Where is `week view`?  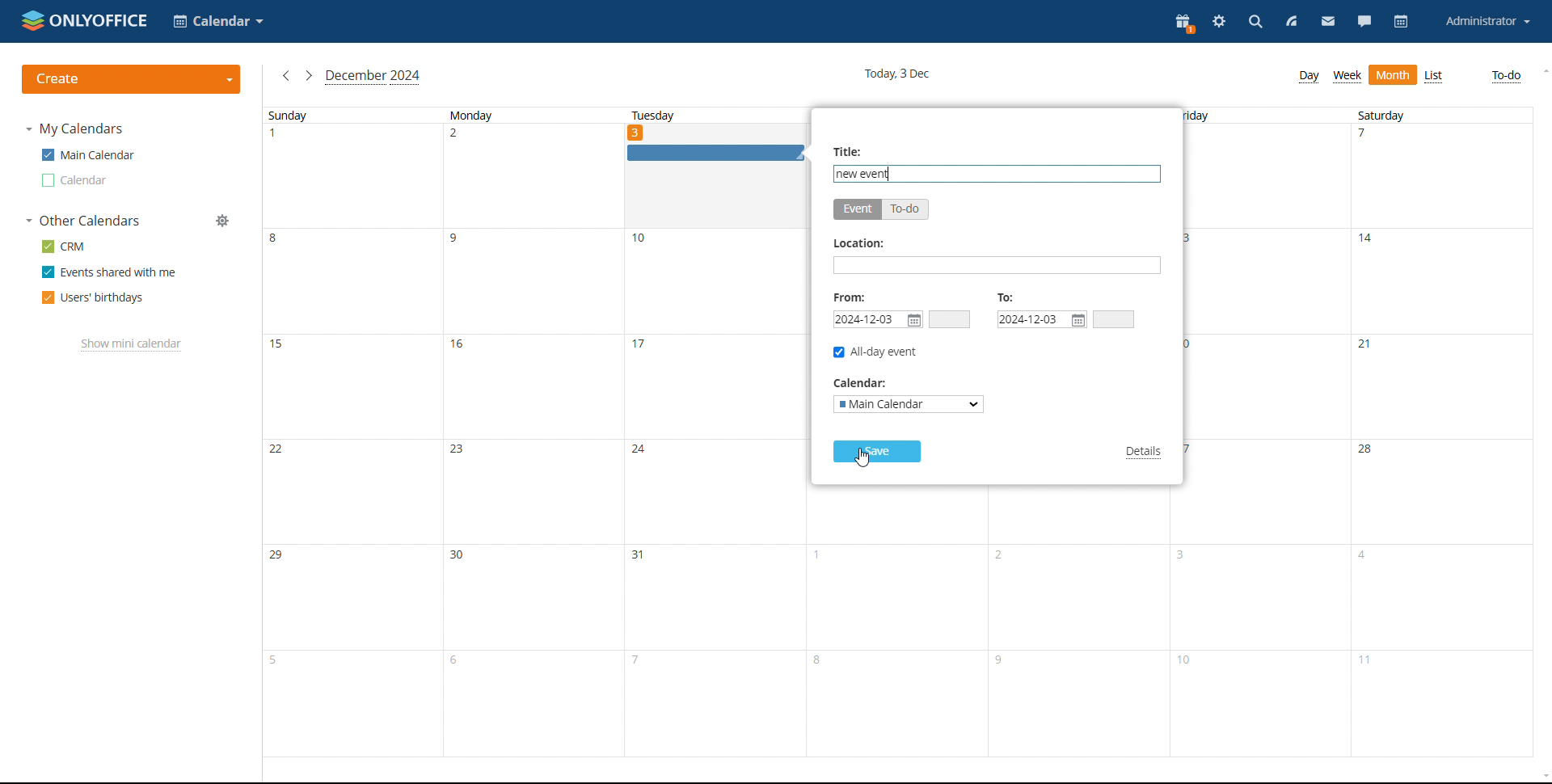
week view is located at coordinates (1347, 76).